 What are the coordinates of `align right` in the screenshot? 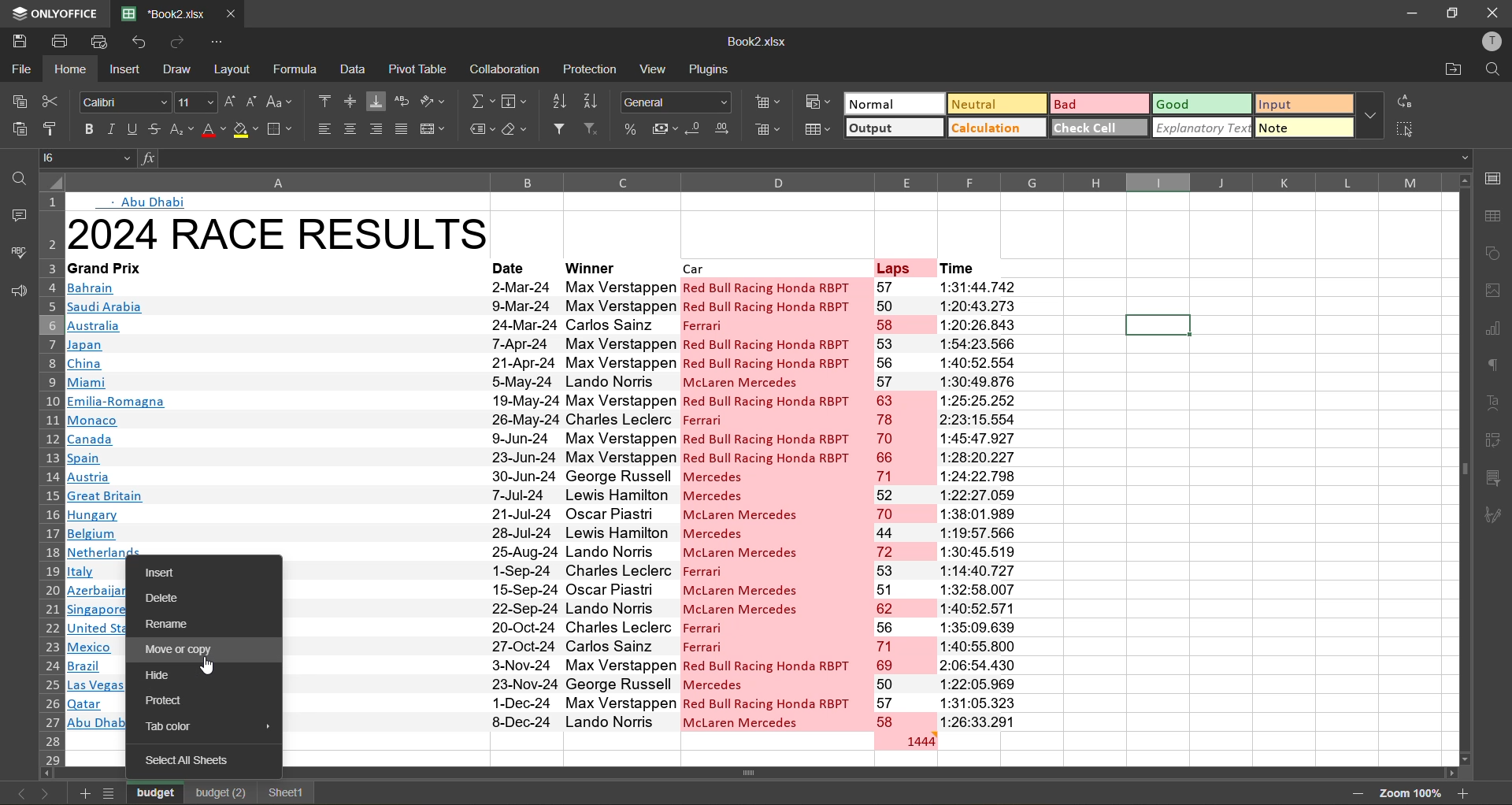 It's located at (379, 129).